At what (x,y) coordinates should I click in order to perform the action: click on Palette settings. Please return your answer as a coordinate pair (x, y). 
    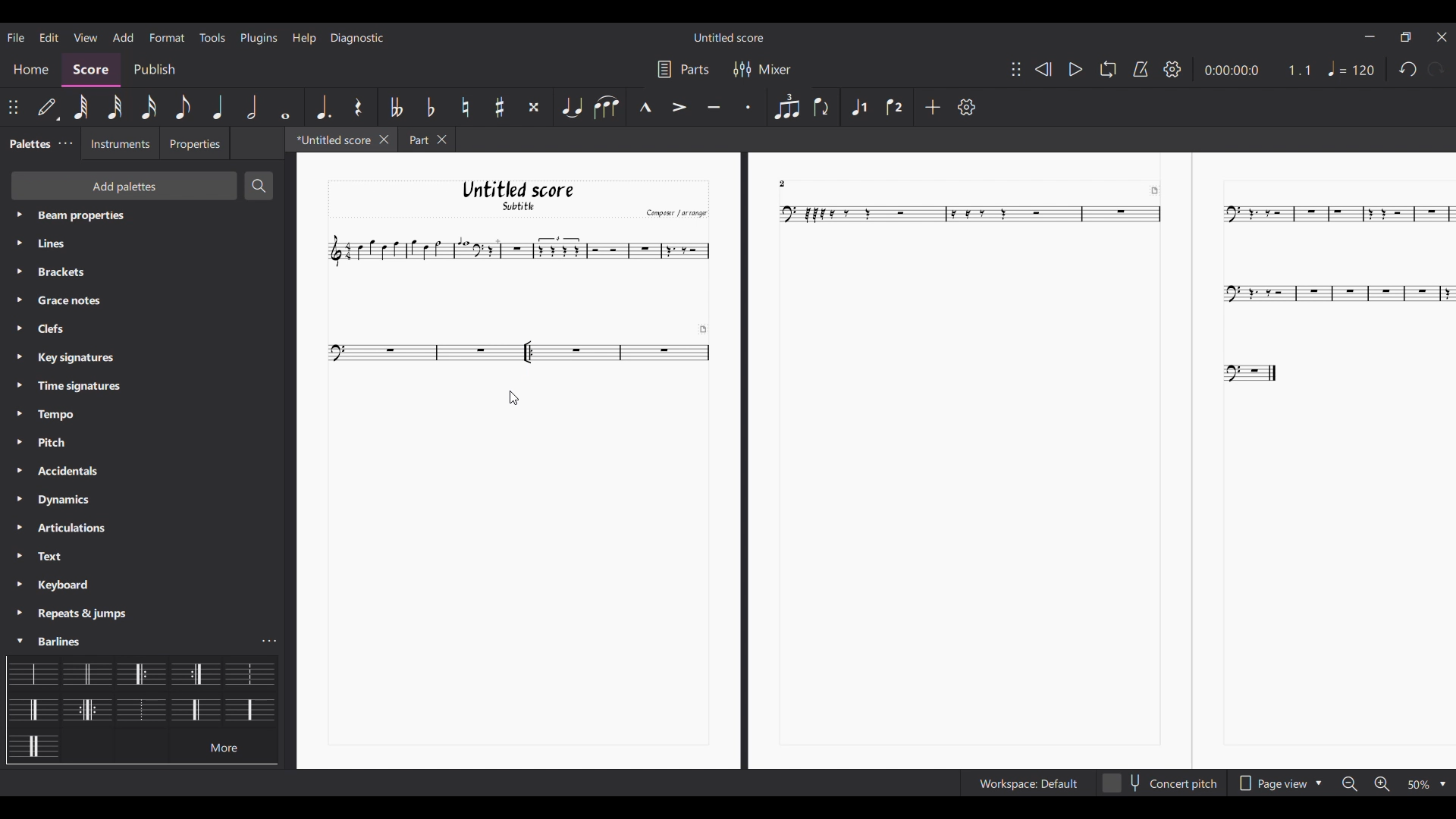
    Looking at the image, I should click on (60, 444).